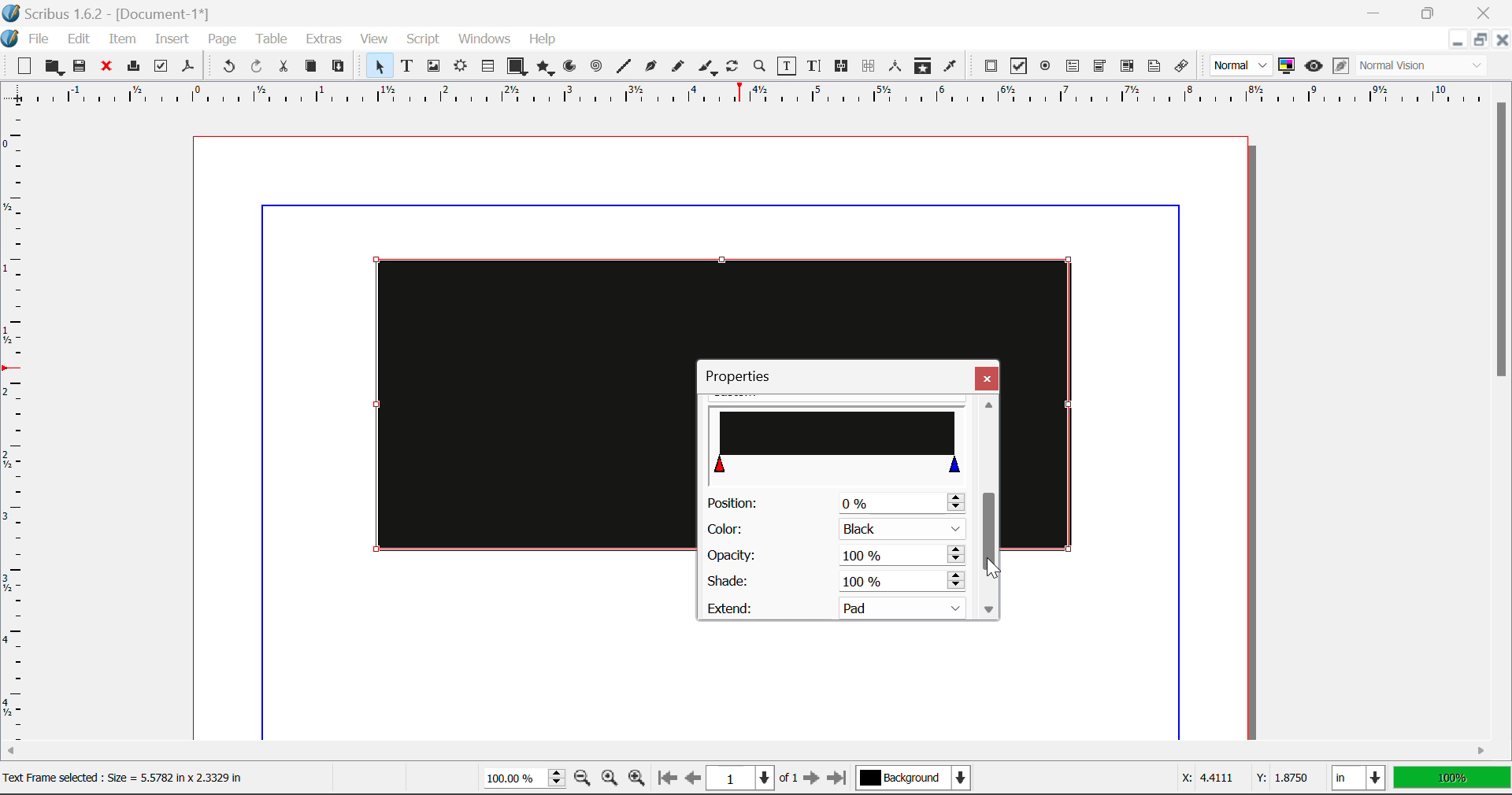  I want to click on Extras, so click(326, 39).